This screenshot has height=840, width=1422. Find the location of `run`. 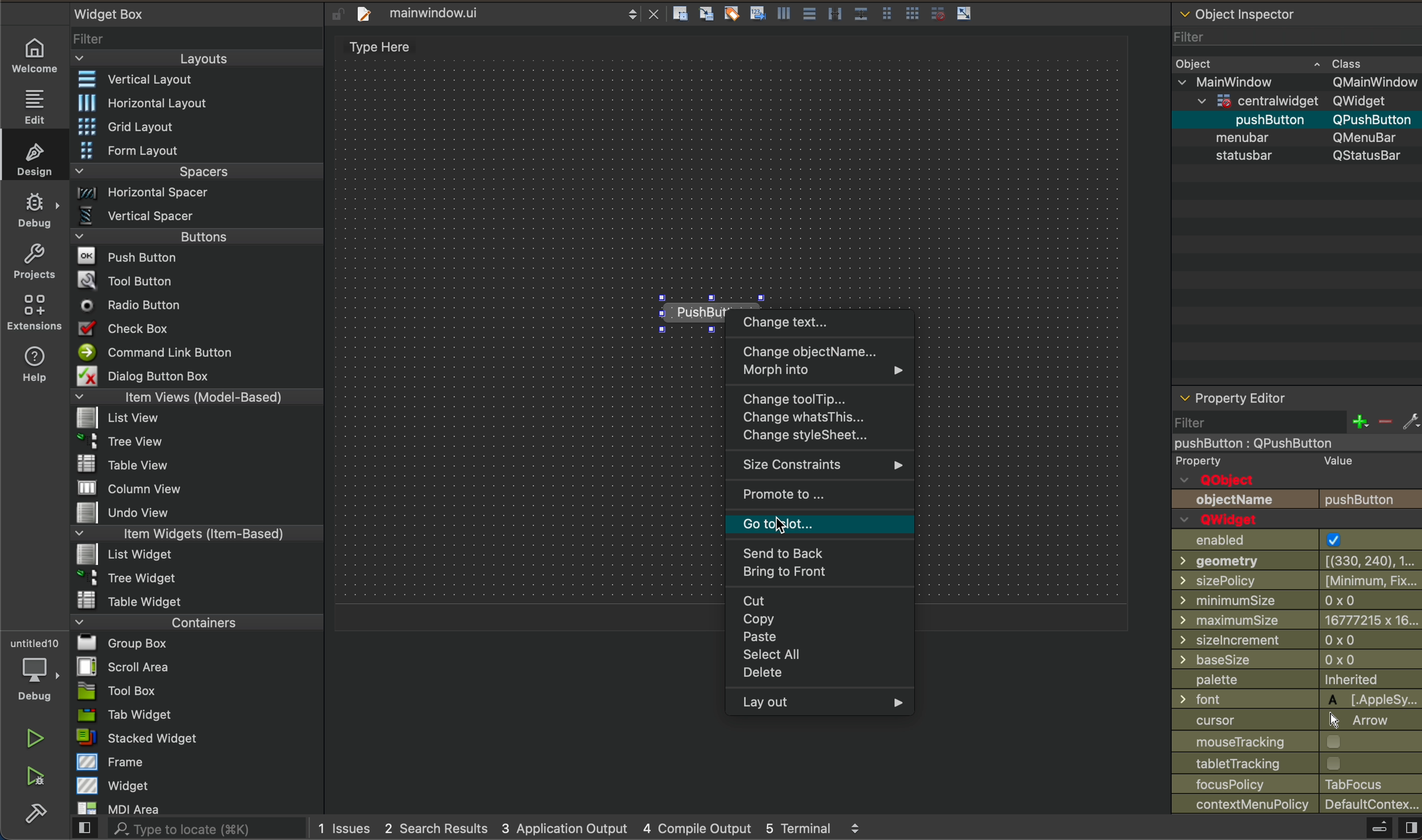

run is located at coordinates (33, 740).